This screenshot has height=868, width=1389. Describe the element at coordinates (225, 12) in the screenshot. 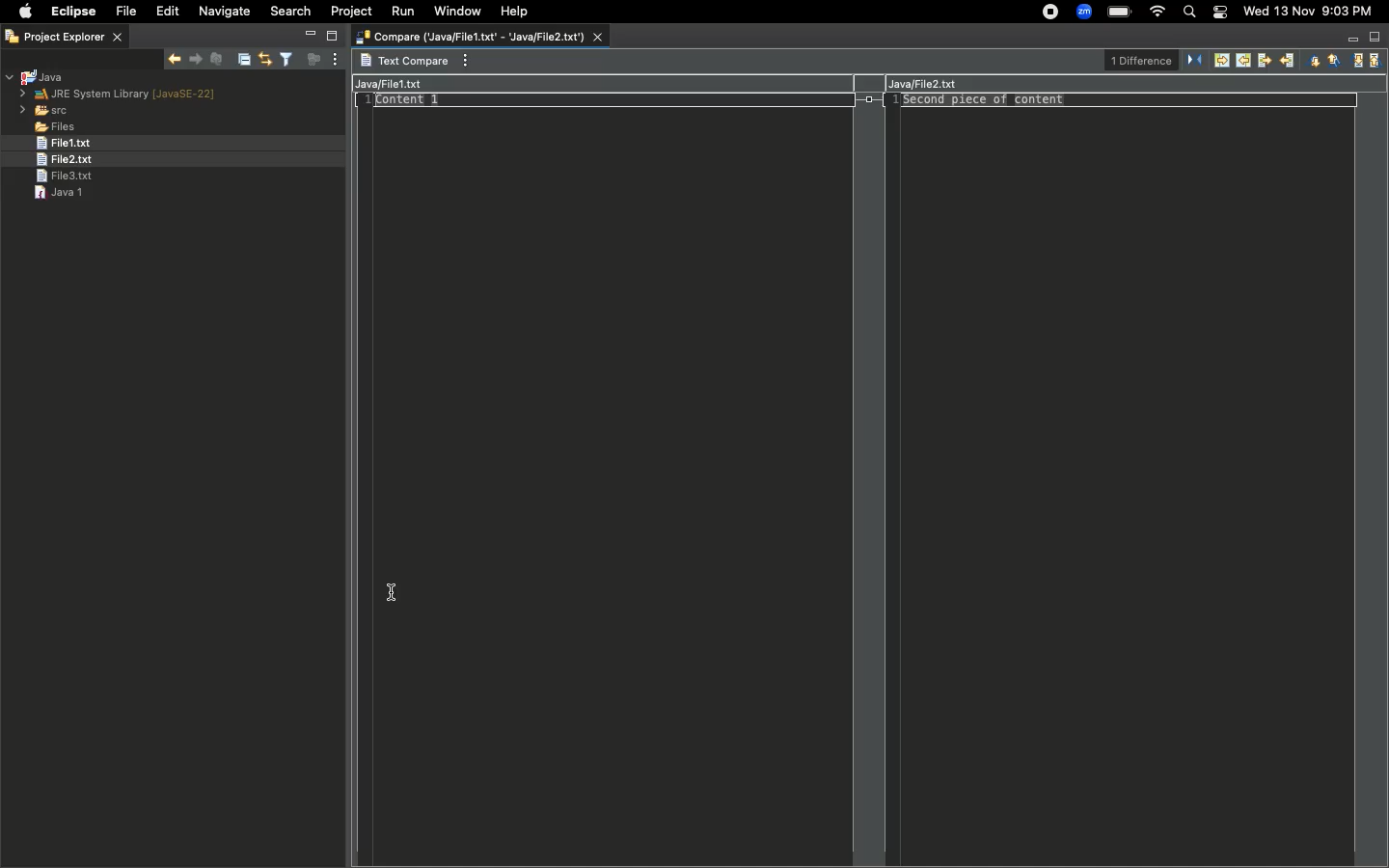

I see `Navigate` at that location.